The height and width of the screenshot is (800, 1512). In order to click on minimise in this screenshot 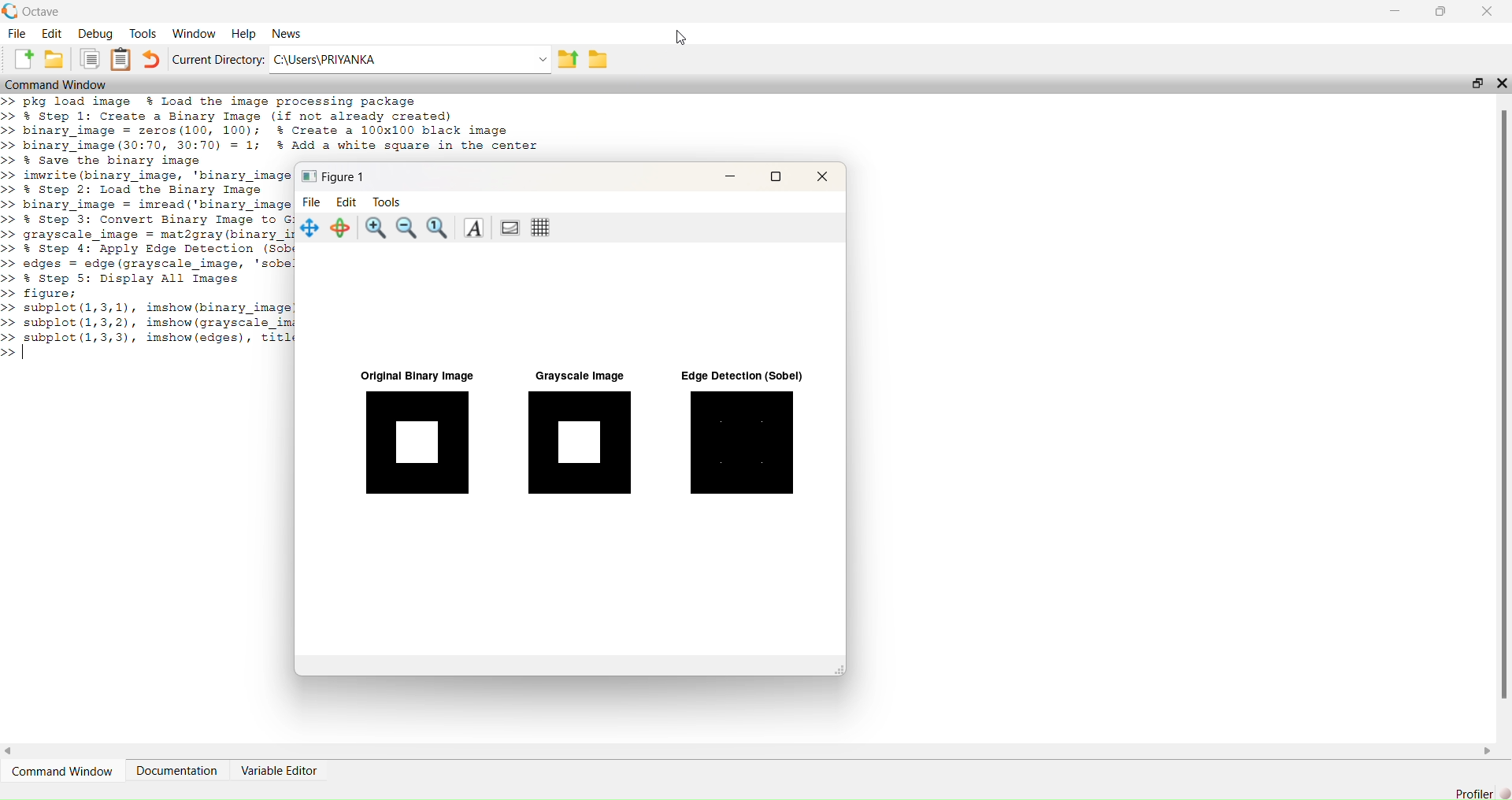, I will do `click(1399, 9)`.